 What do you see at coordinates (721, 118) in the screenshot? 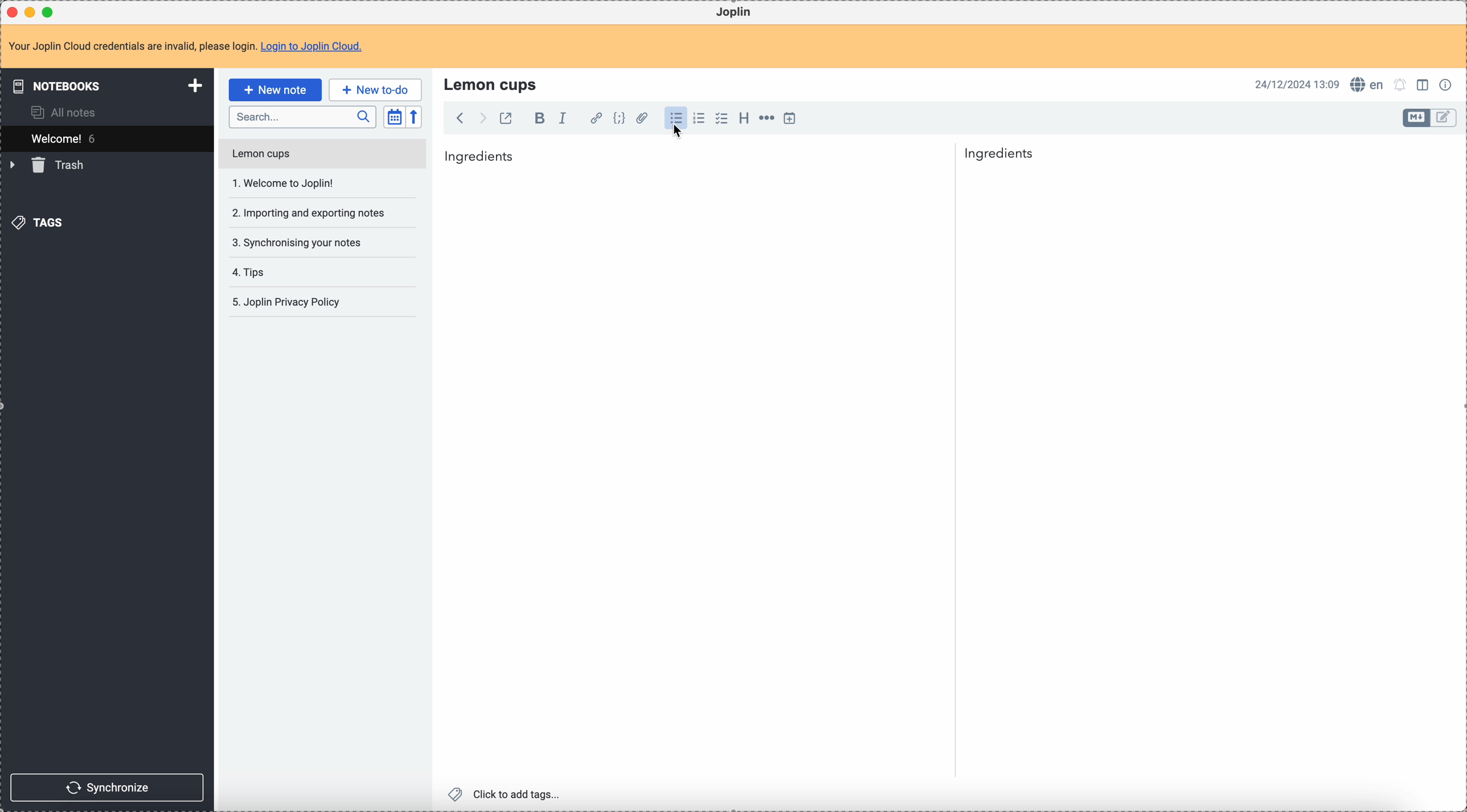
I see `check list` at bounding box center [721, 118].